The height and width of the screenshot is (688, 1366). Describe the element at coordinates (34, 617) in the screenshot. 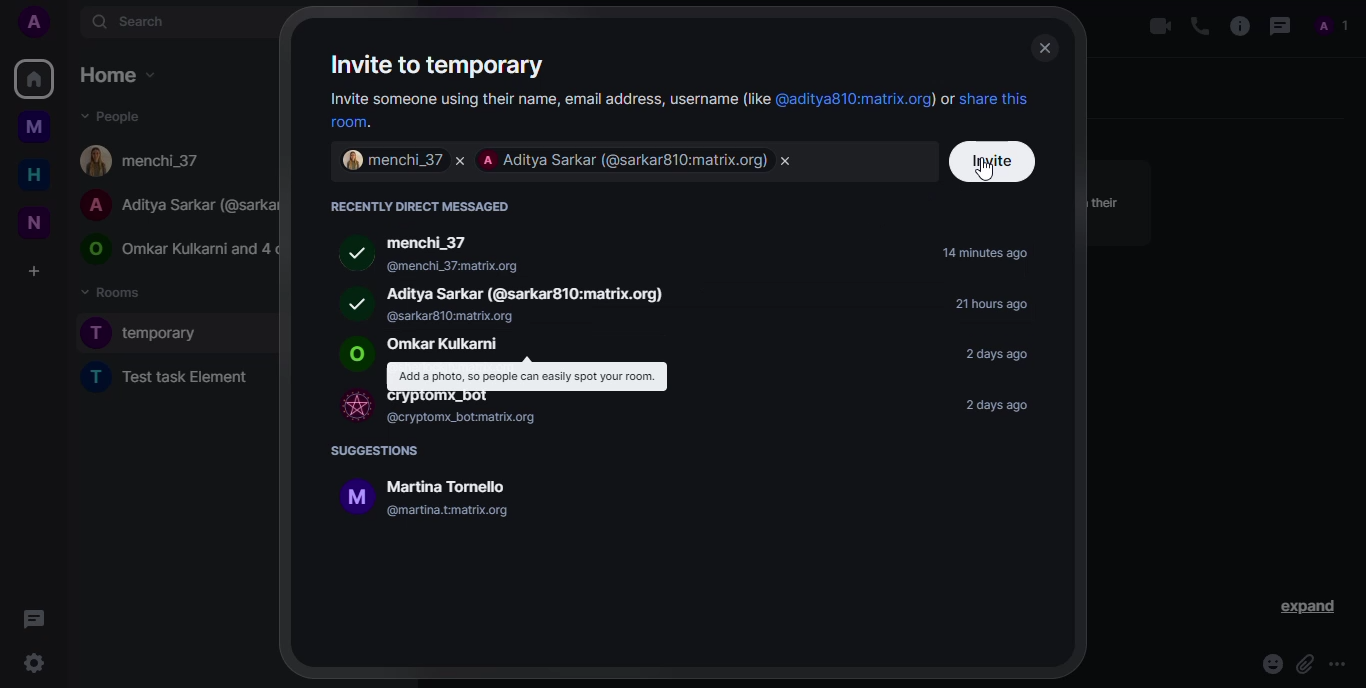

I see `` at that location.